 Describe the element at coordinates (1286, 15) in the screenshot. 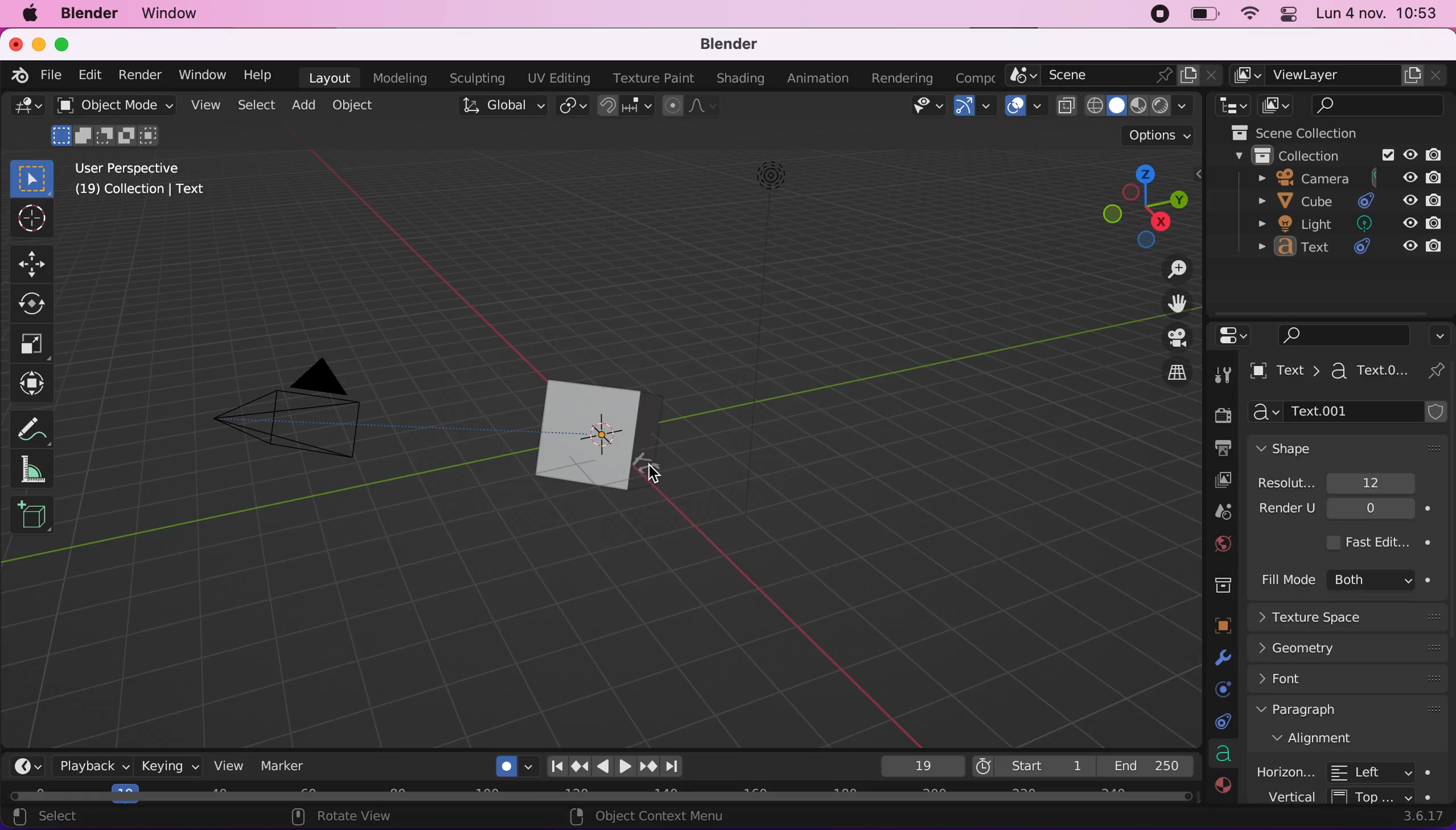

I see `panel control` at that location.